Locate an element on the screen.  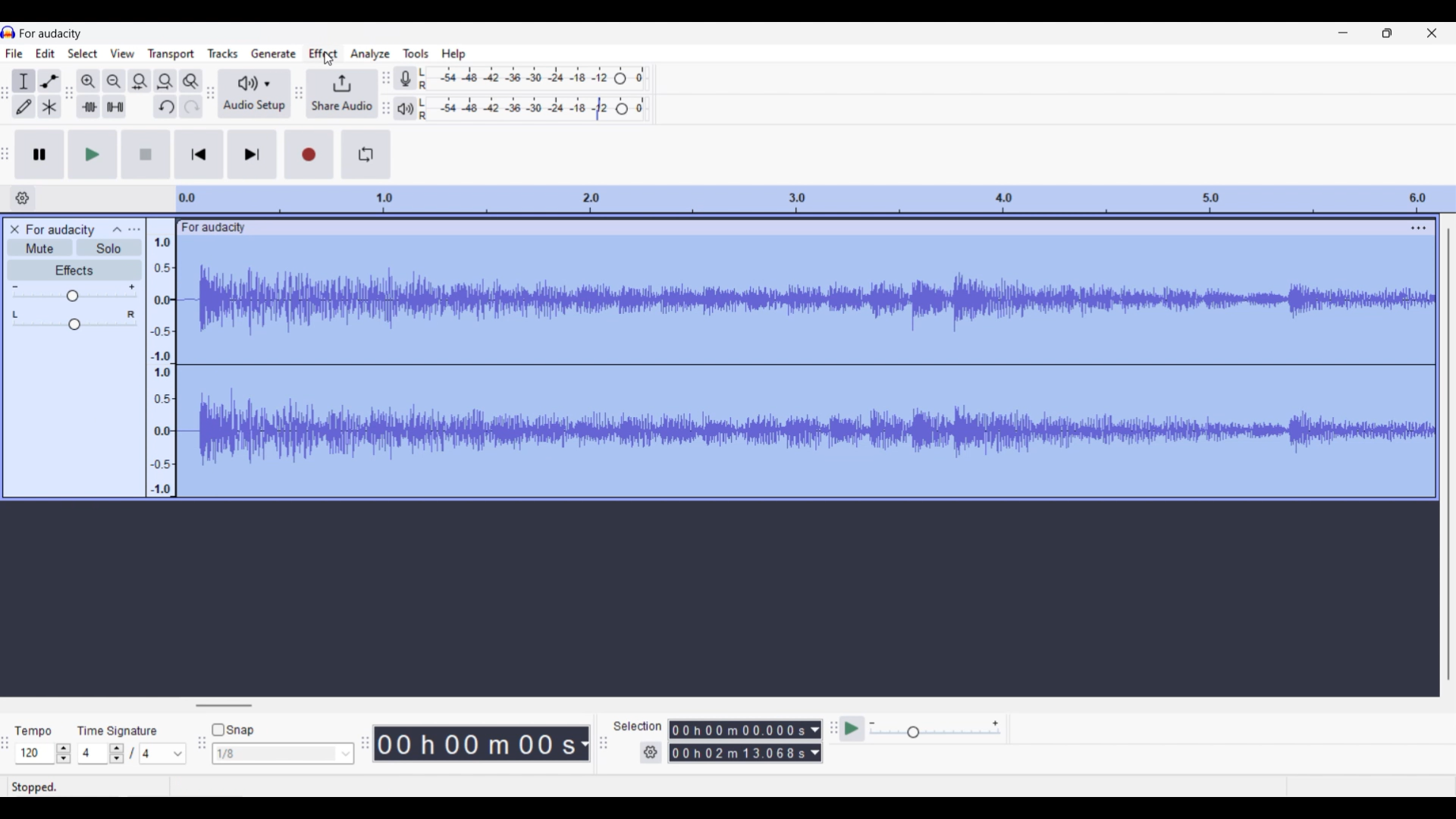
Close interface is located at coordinates (1432, 33).